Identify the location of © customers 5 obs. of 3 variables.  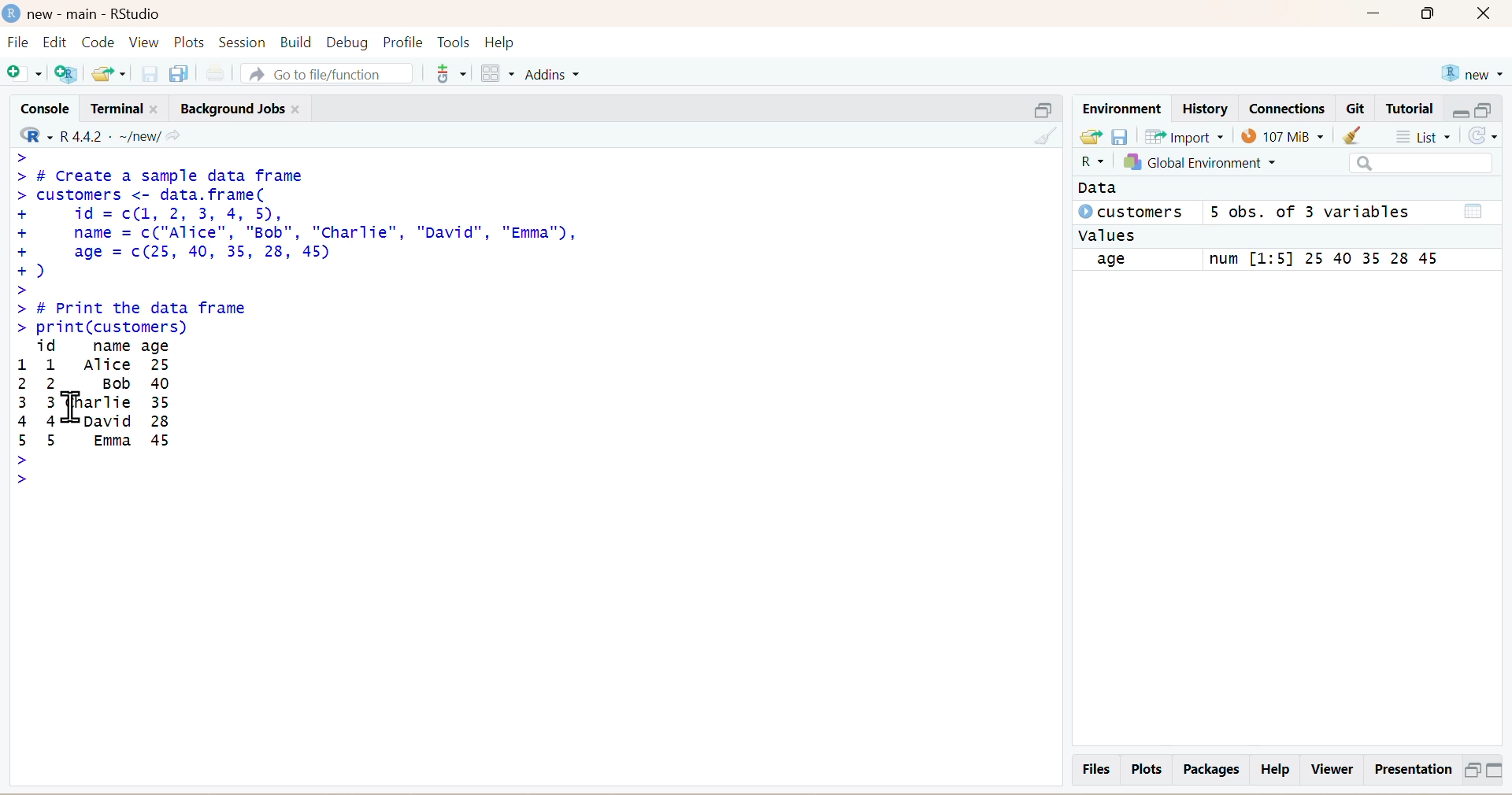
(1277, 213).